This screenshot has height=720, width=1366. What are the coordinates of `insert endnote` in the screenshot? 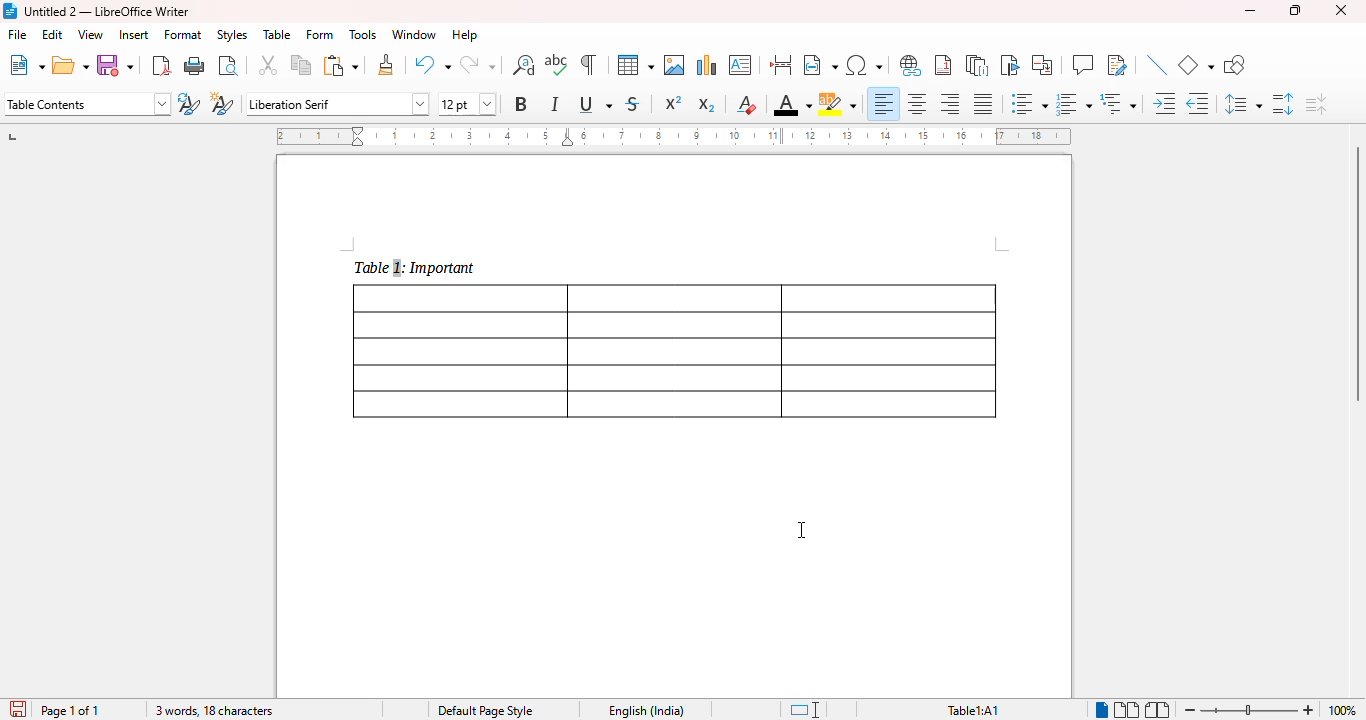 It's located at (977, 65).